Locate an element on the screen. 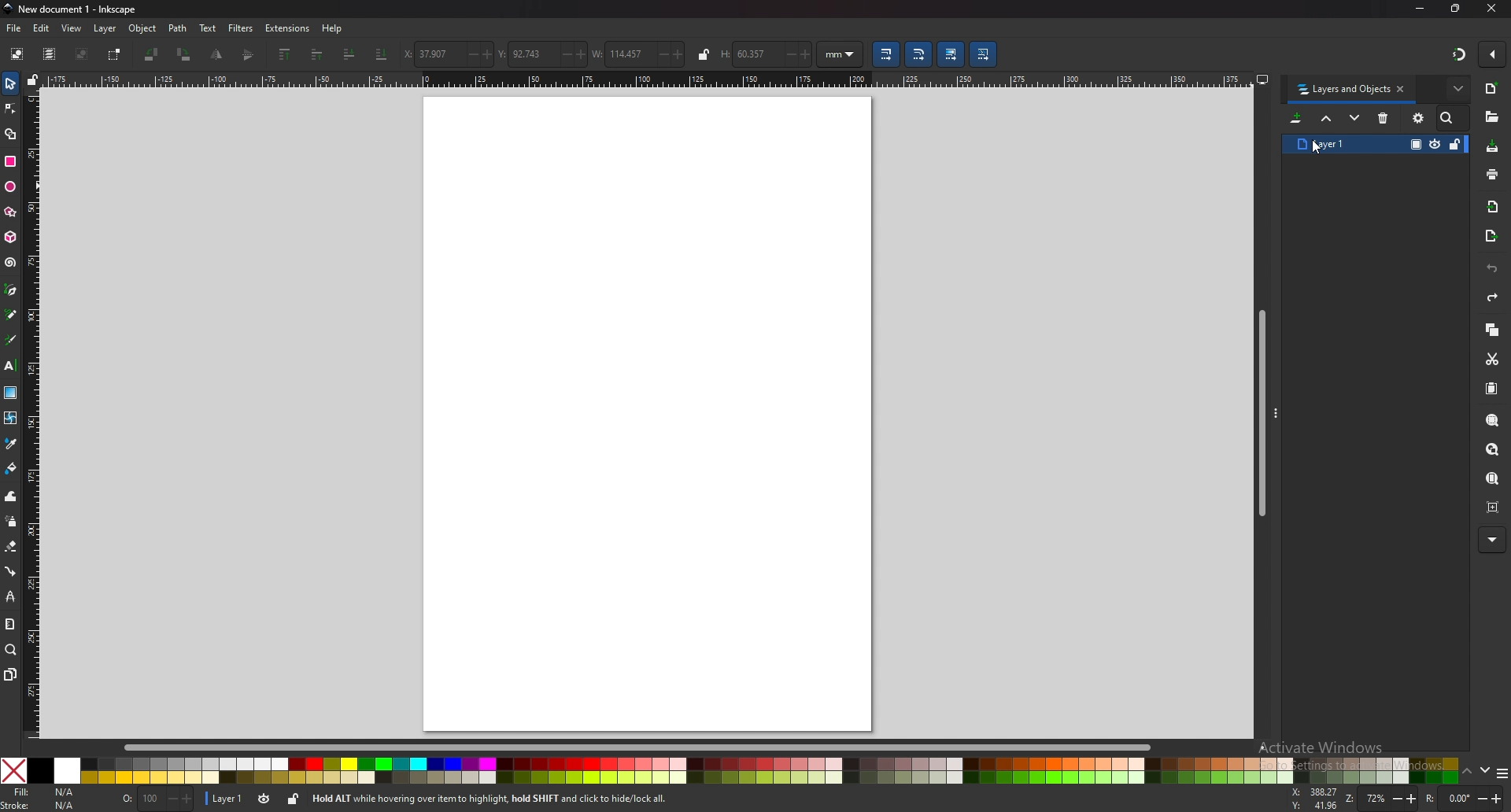  title is located at coordinates (75, 9).